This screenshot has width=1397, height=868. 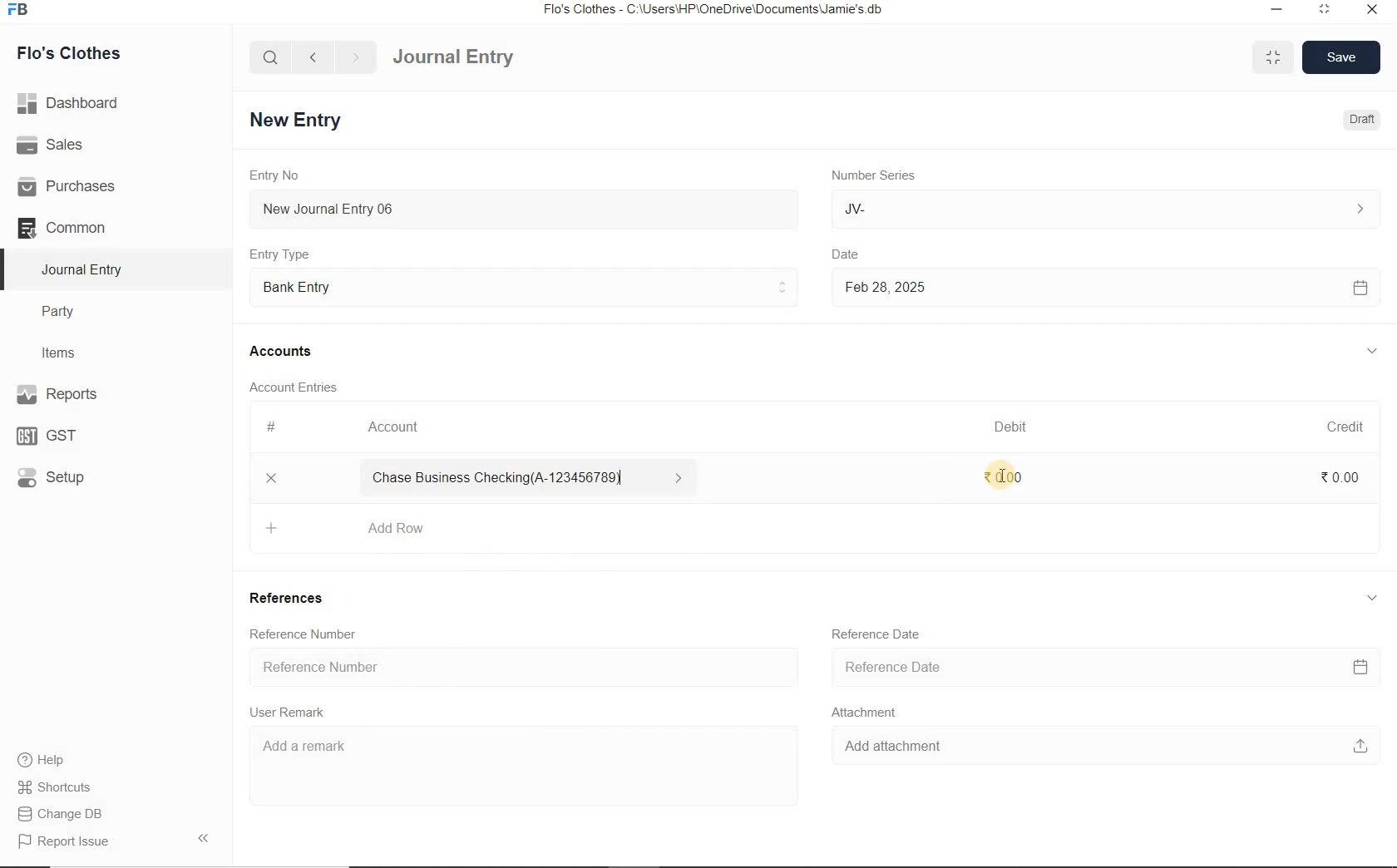 What do you see at coordinates (1103, 668) in the screenshot?
I see `Reference Date` at bounding box center [1103, 668].